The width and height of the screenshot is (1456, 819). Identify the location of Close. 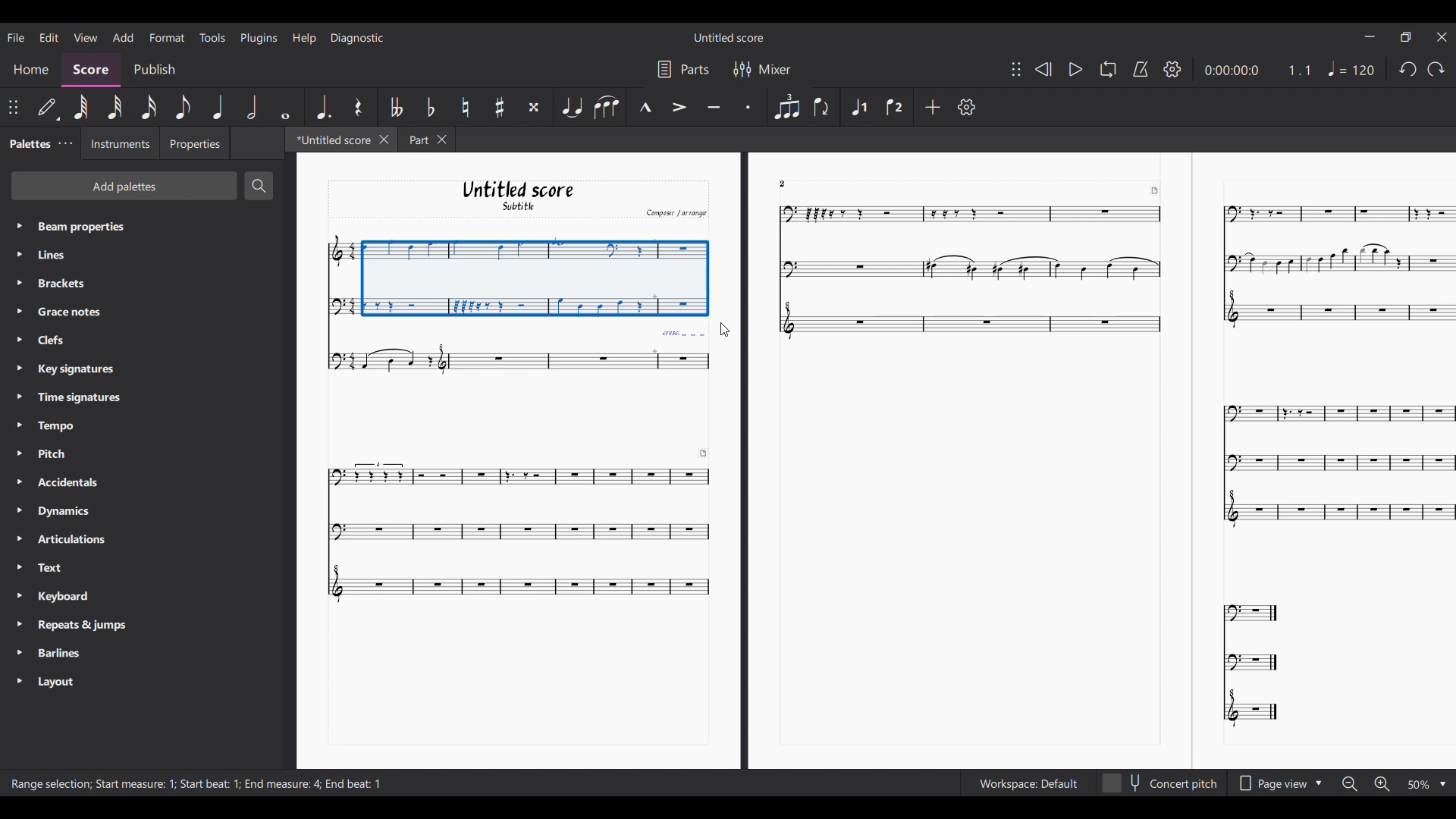
(384, 140).